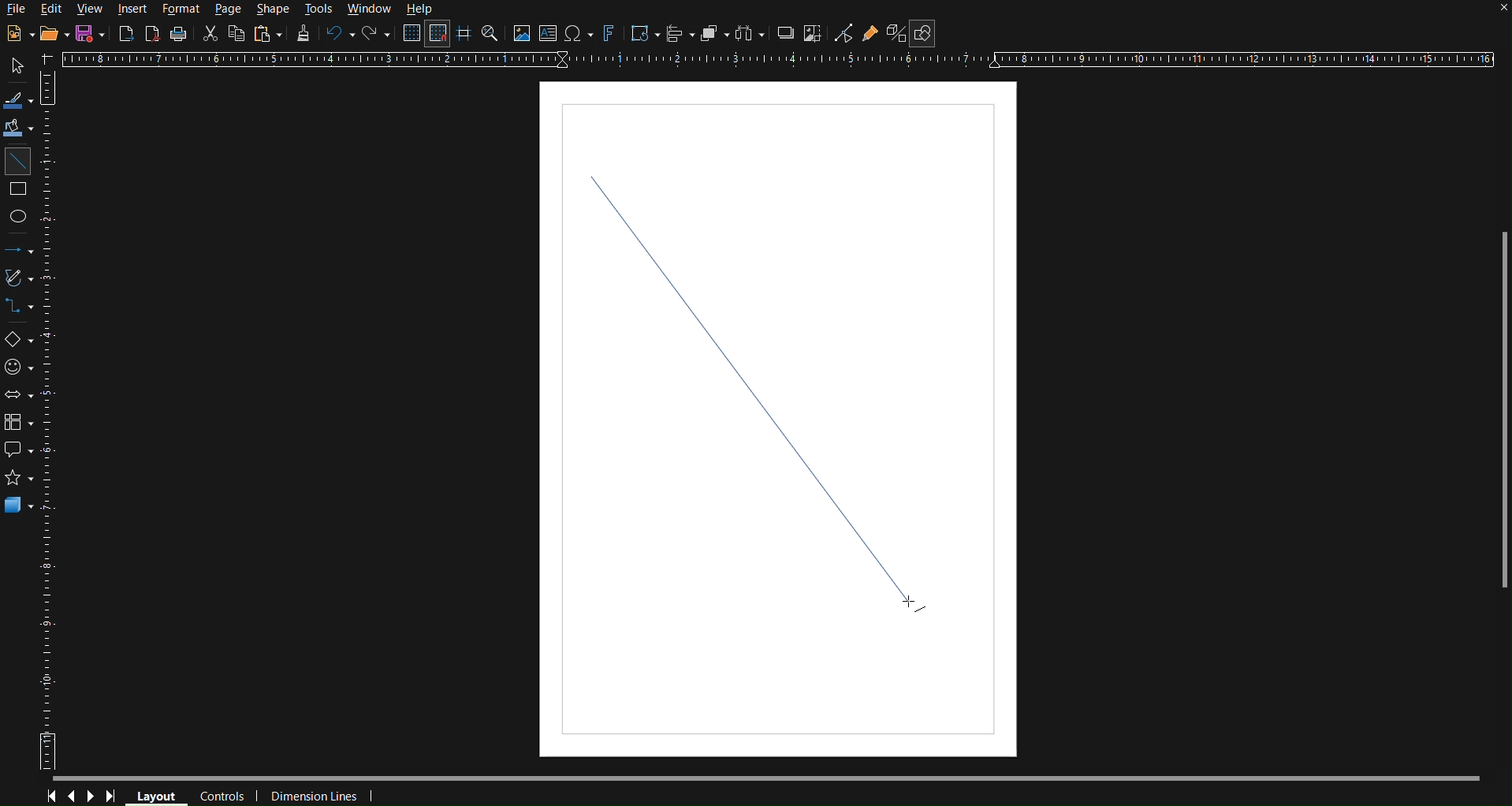 The width and height of the screenshot is (1512, 806). I want to click on Print, so click(181, 34).